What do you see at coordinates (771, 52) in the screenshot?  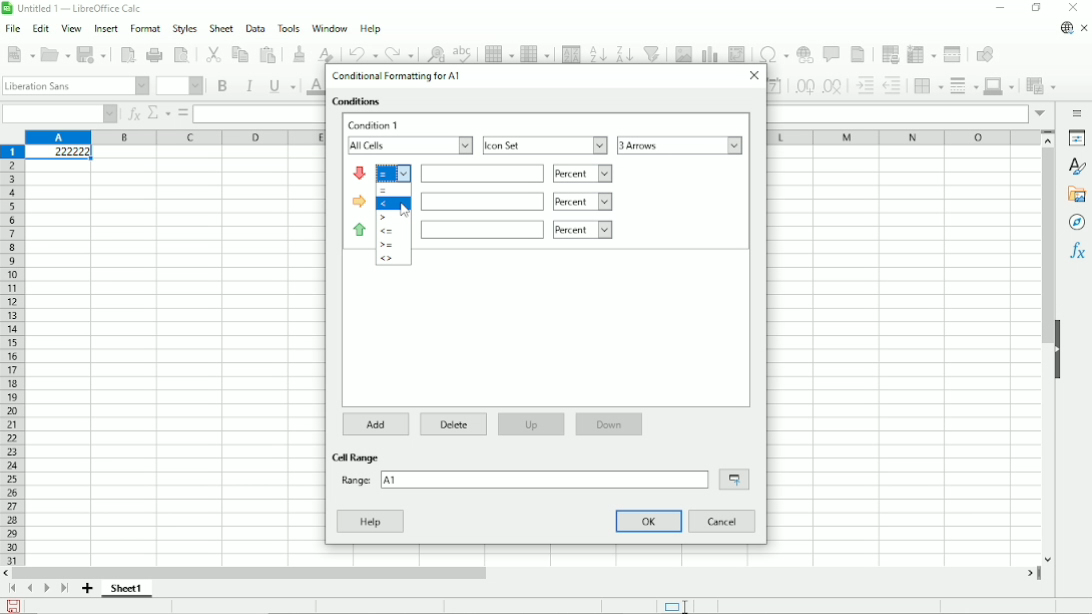 I see `Insert special characters` at bounding box center [771, 52].